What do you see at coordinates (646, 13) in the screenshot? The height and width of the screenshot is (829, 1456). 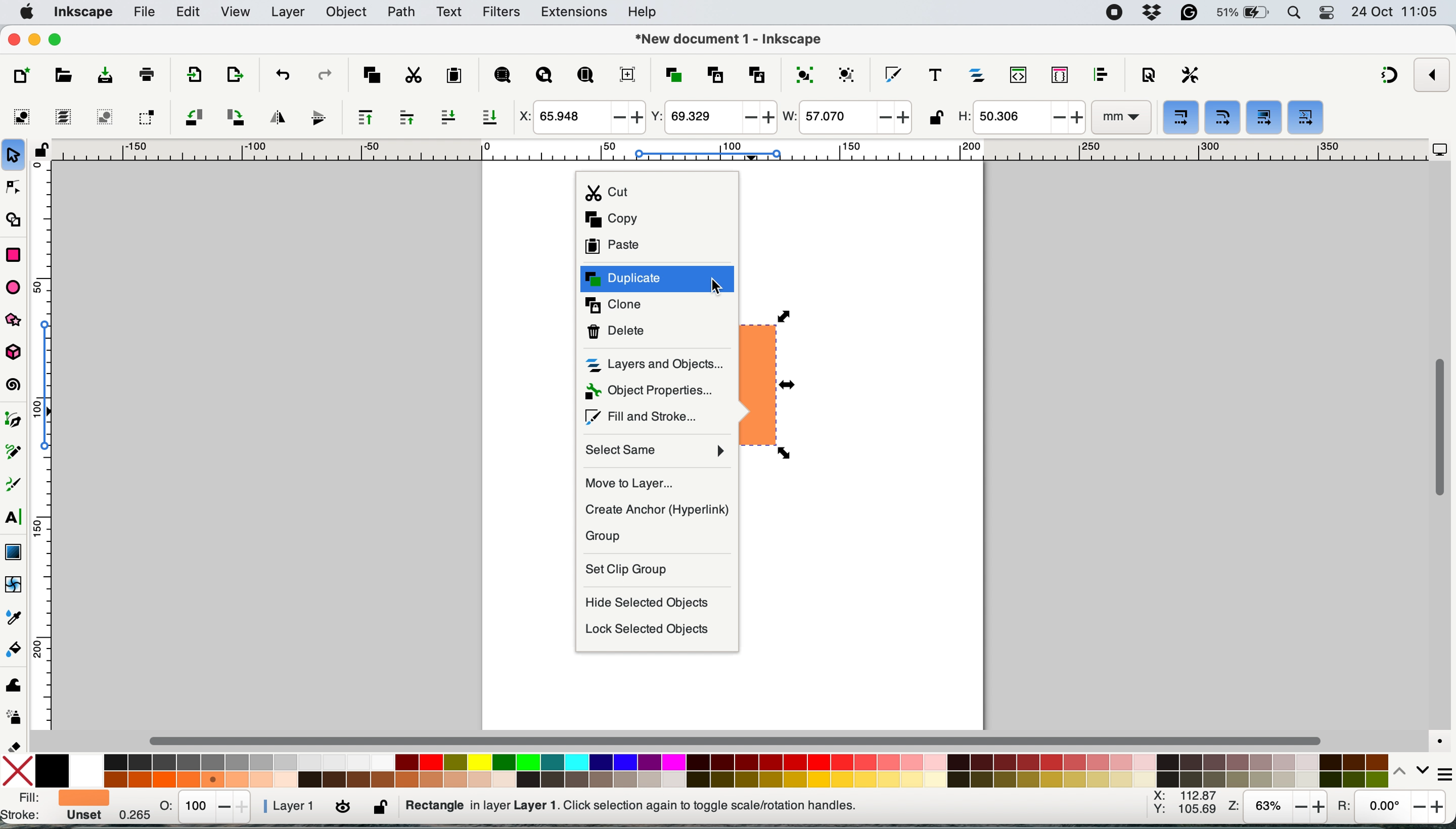 I see `help` at bounding box center [646, 13].